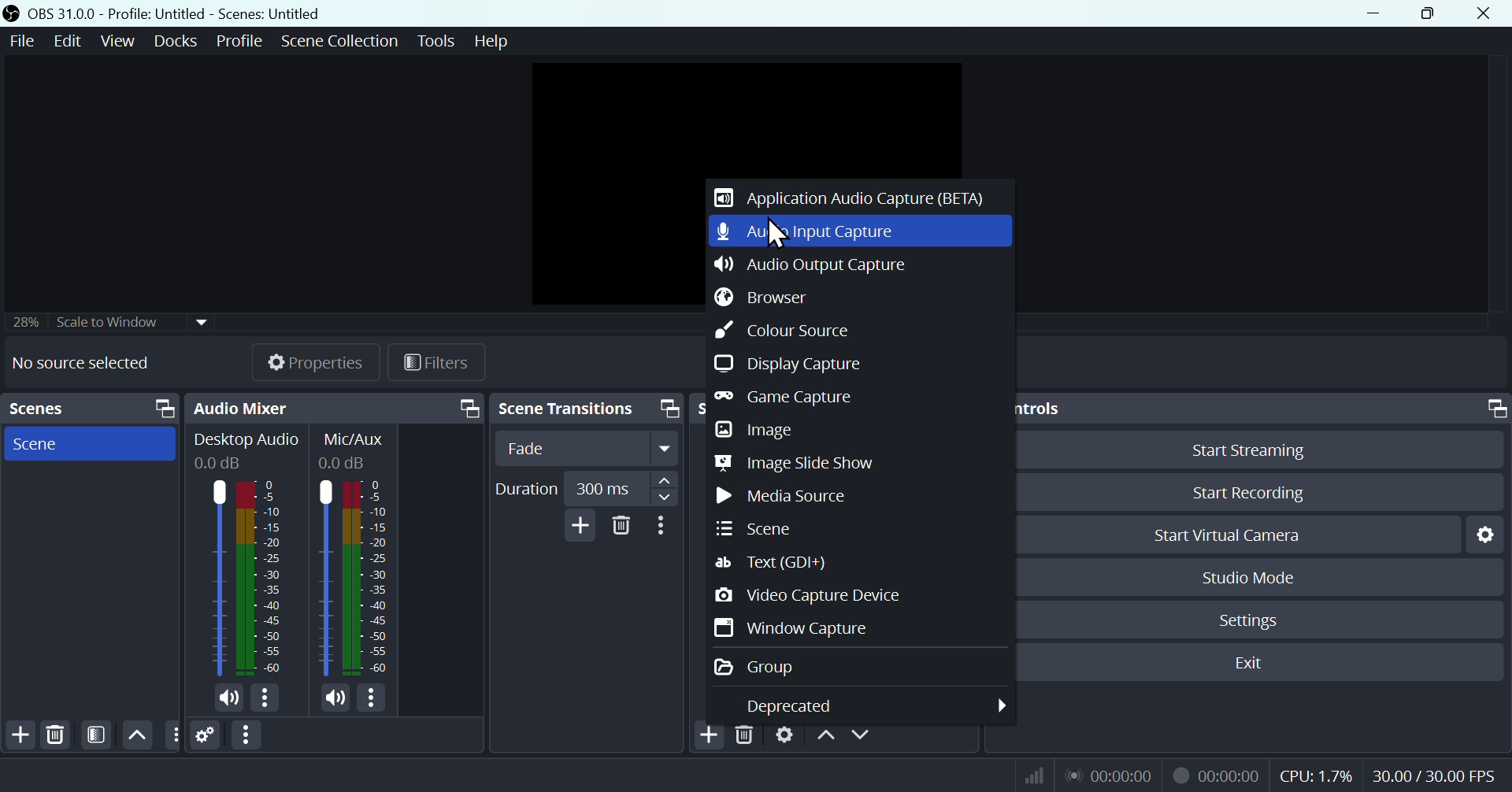  What do you see at coordinates (266, 698) in the screenshot?
I see `More options` at bounding box center [266, 698].